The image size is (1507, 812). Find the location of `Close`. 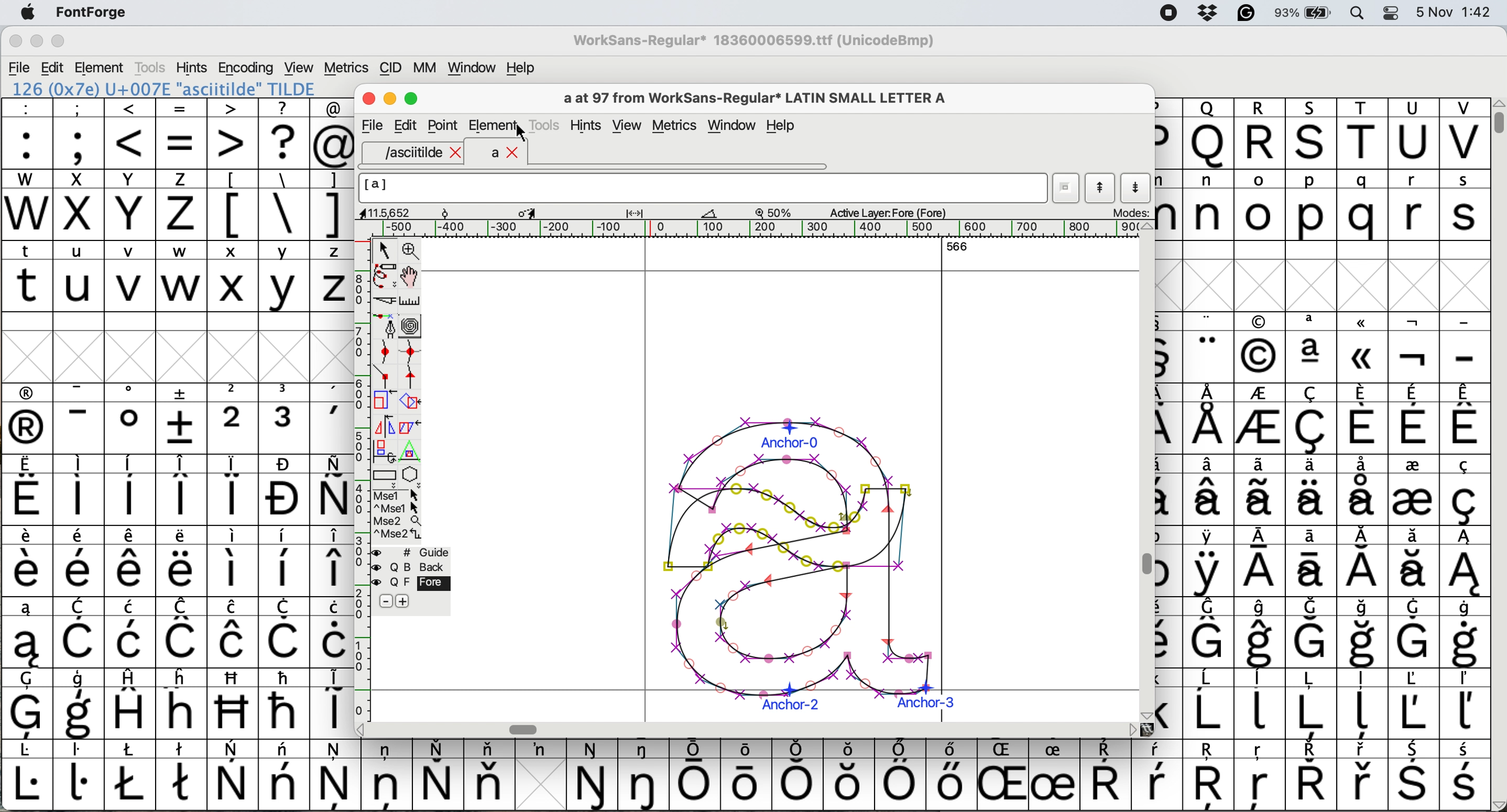

Close is located at coordinates (370, 99).